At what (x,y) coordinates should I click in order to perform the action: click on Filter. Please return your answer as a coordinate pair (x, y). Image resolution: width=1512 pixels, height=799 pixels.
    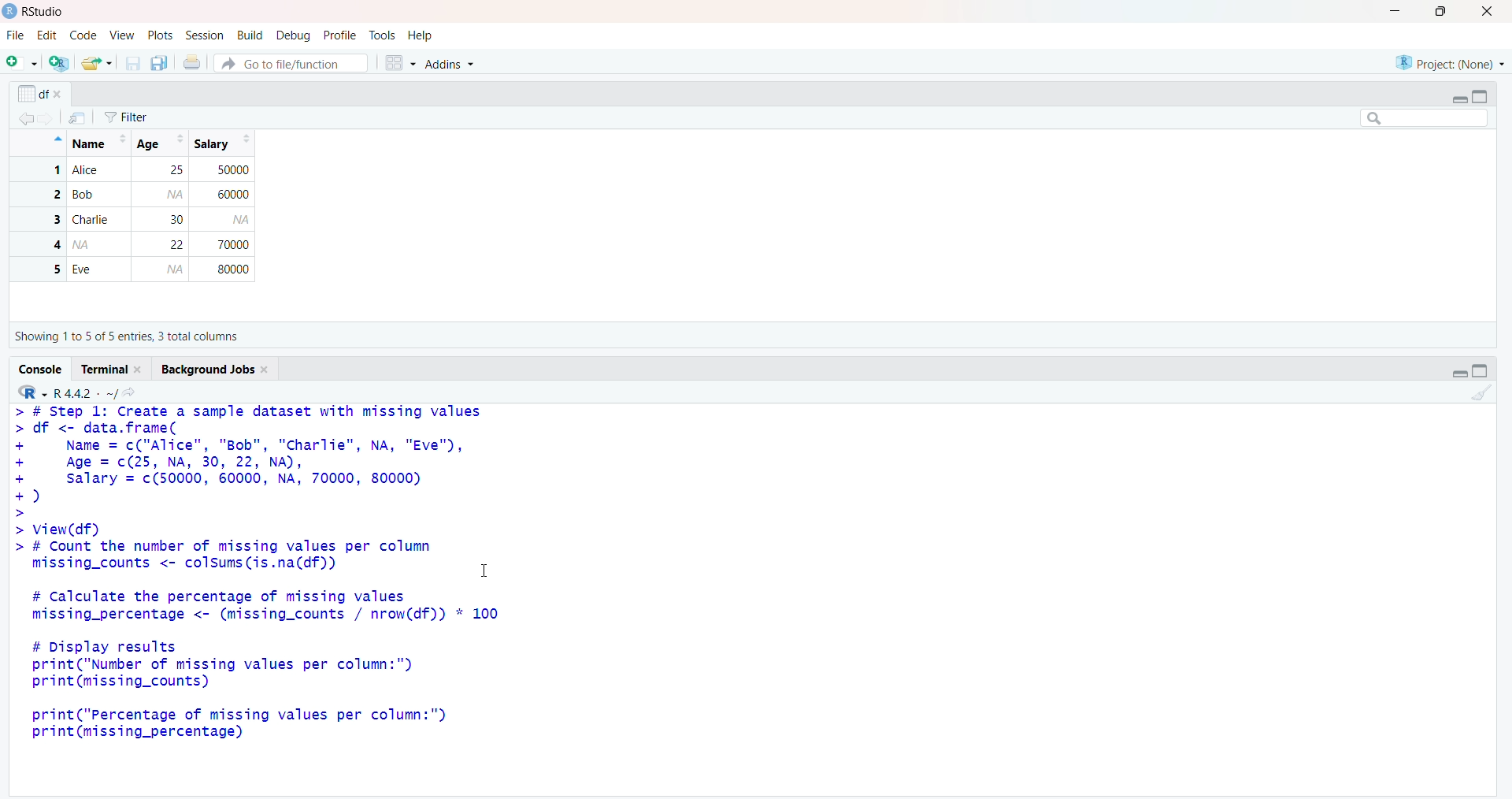
    Looking at the image, I should click on (142, 114).